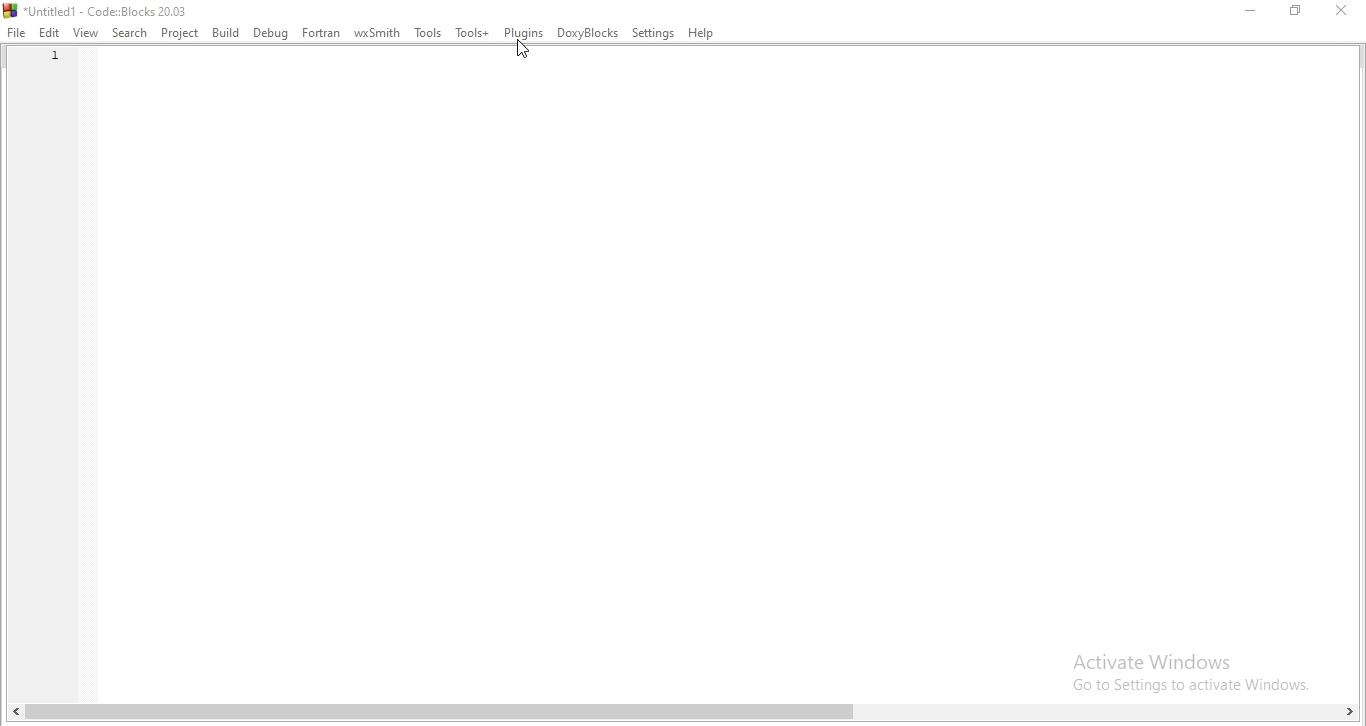 This screenshot has height=726, width=1366. Describe the element at coordinates (687, 715) in the screenshot. I see `scroll bar` at that location.